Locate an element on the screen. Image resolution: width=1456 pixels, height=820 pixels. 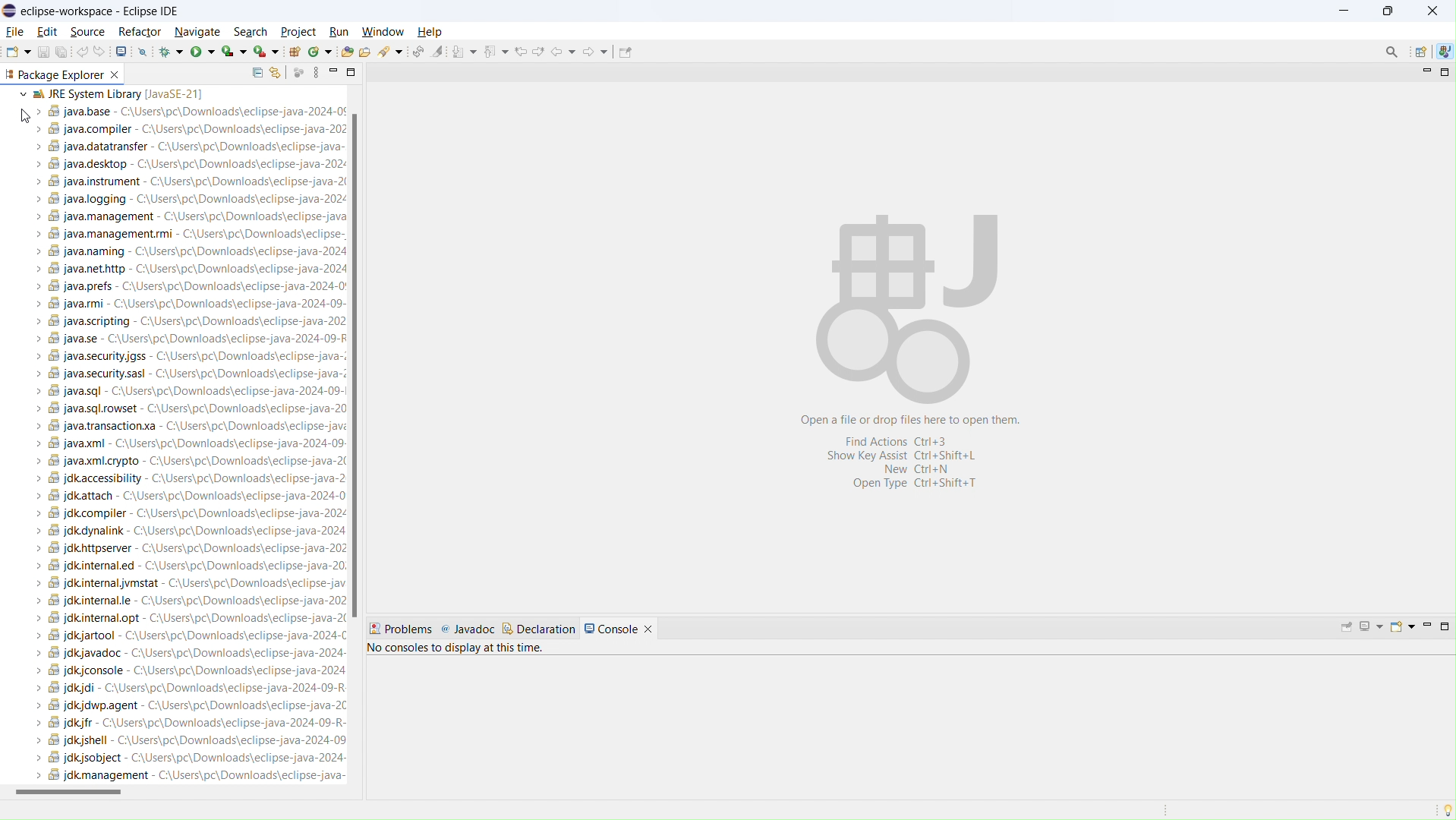
toggle ant editor auto reconcile is located at coordinates (418, 51).